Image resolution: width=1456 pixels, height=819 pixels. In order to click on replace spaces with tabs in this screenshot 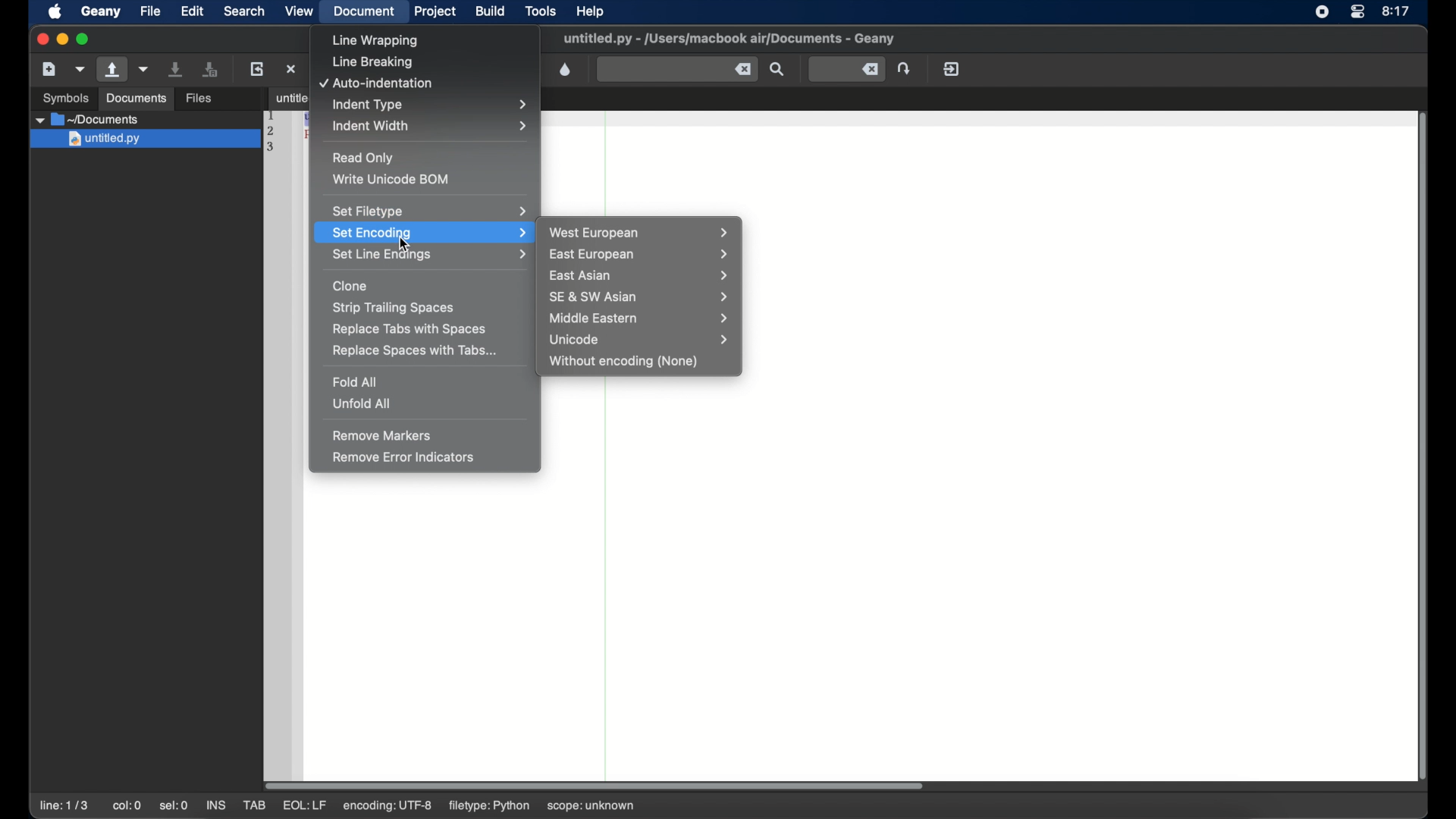, I will do `click(416, 351)`.